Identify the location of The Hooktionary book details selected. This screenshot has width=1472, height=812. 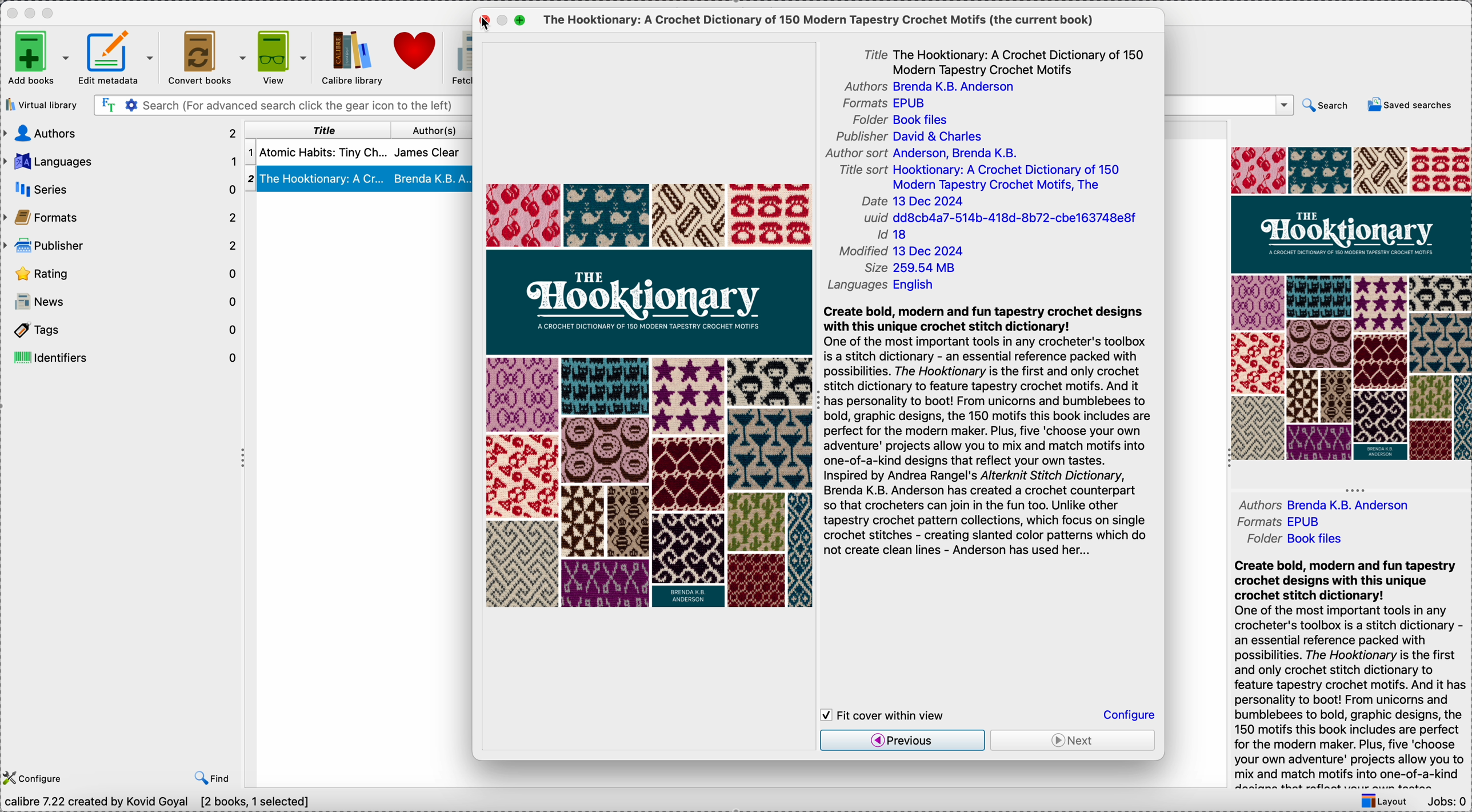
(359, 179).